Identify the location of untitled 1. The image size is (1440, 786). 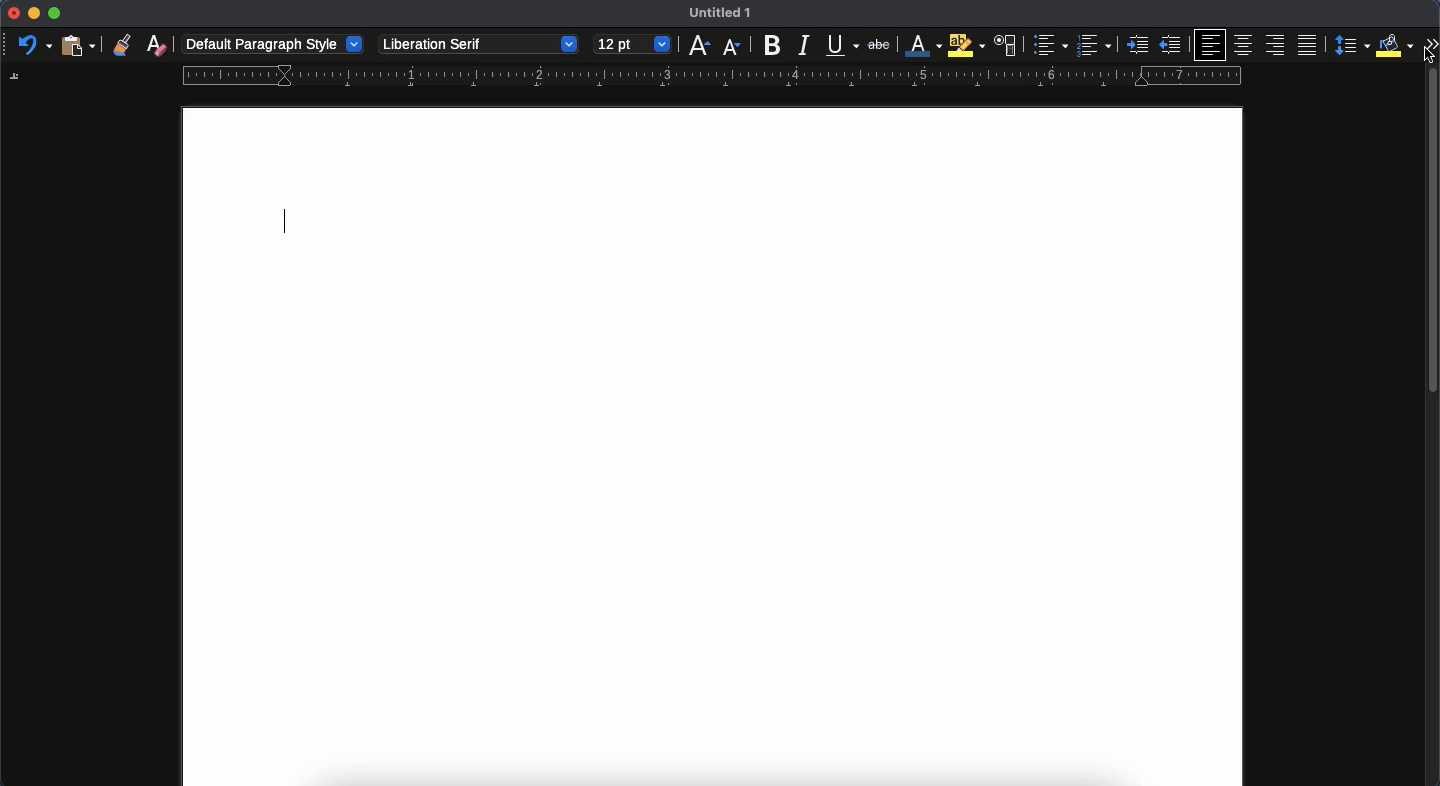
(721, 12).